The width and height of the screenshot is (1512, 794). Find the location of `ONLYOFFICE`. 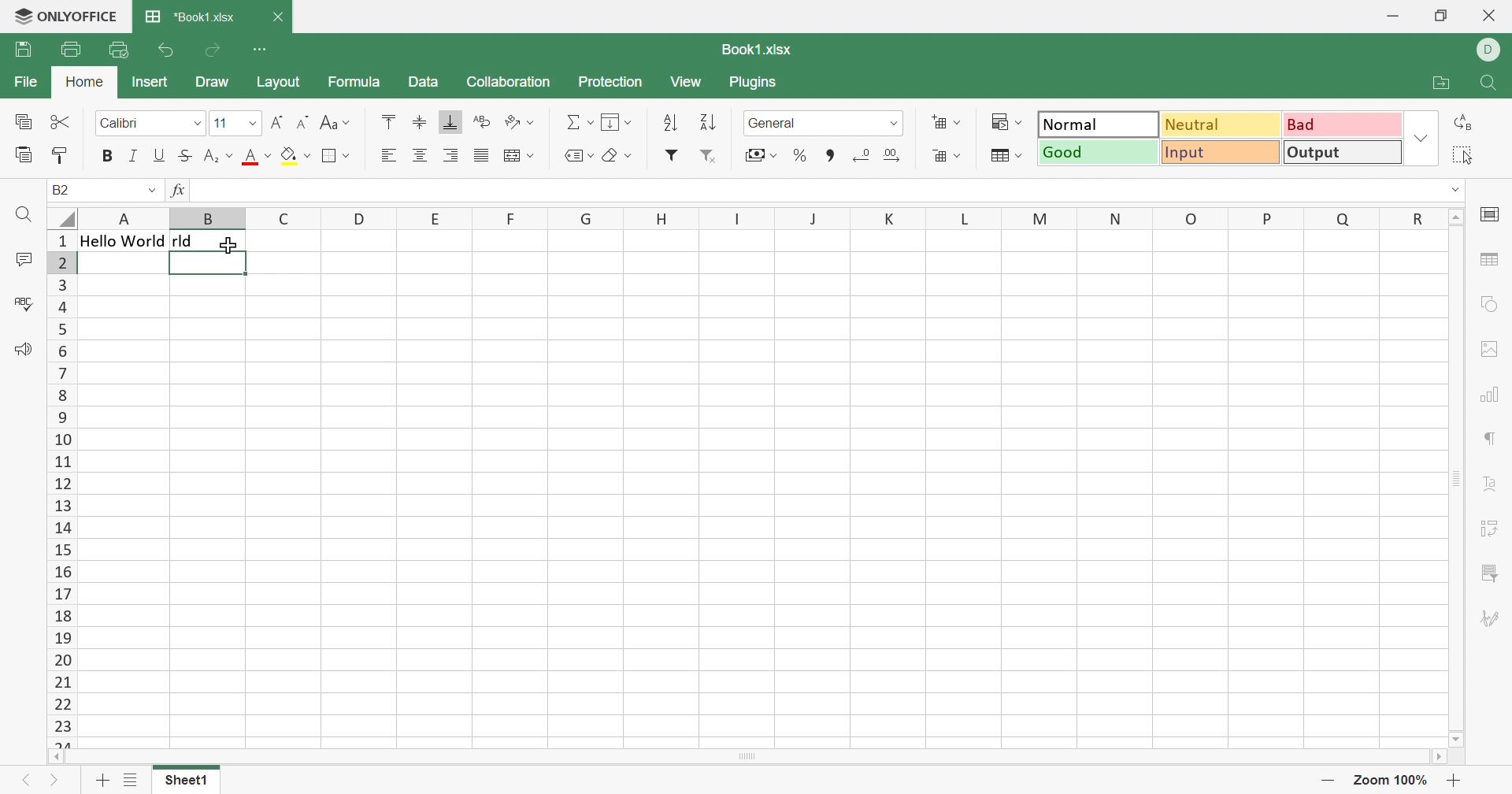

ONLYOFFICE is located at coordinates (61, 15).